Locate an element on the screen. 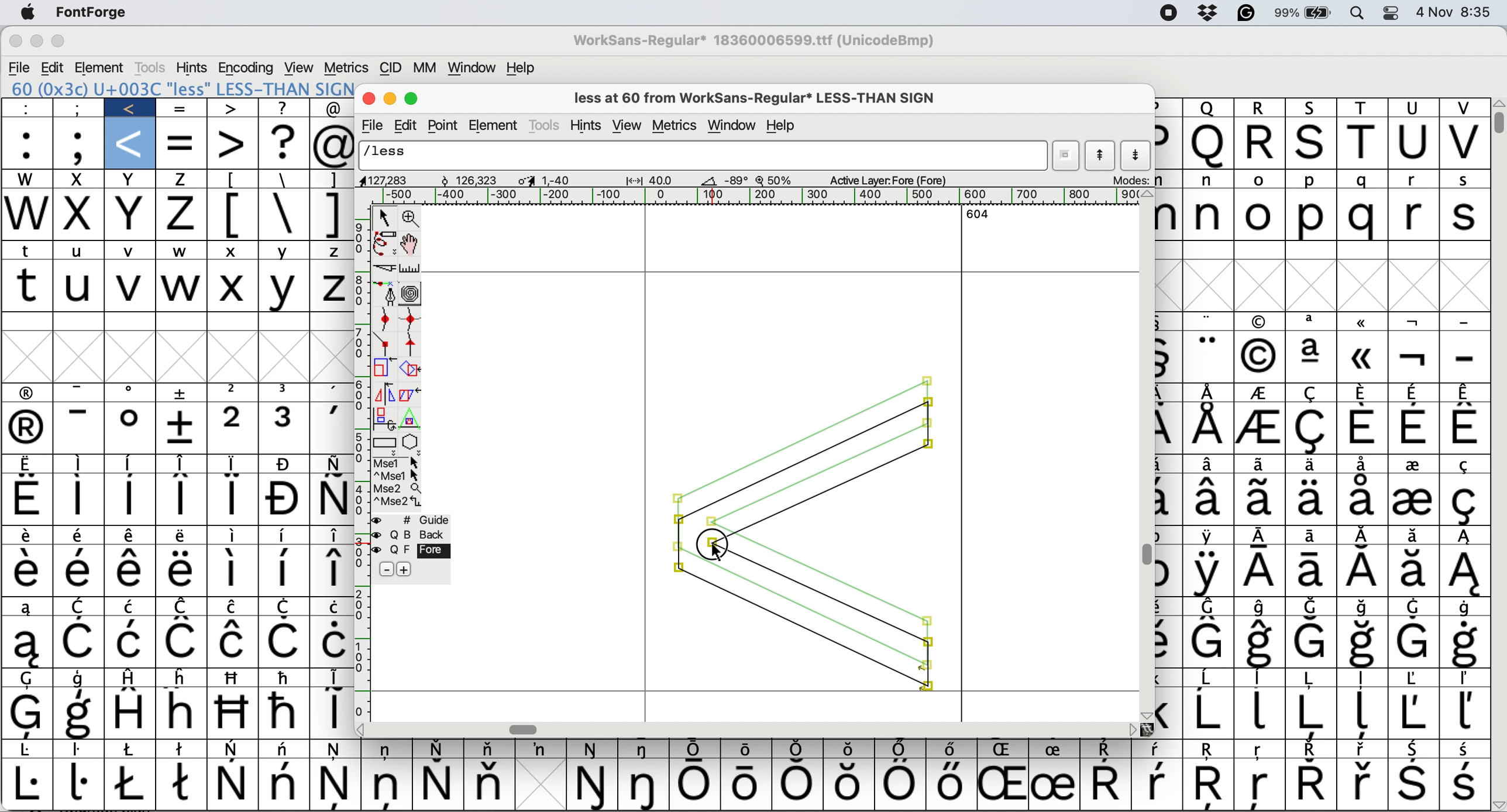 This screenshot has height=812, width=1507. Symbol is located at coordinates (1312, 608).